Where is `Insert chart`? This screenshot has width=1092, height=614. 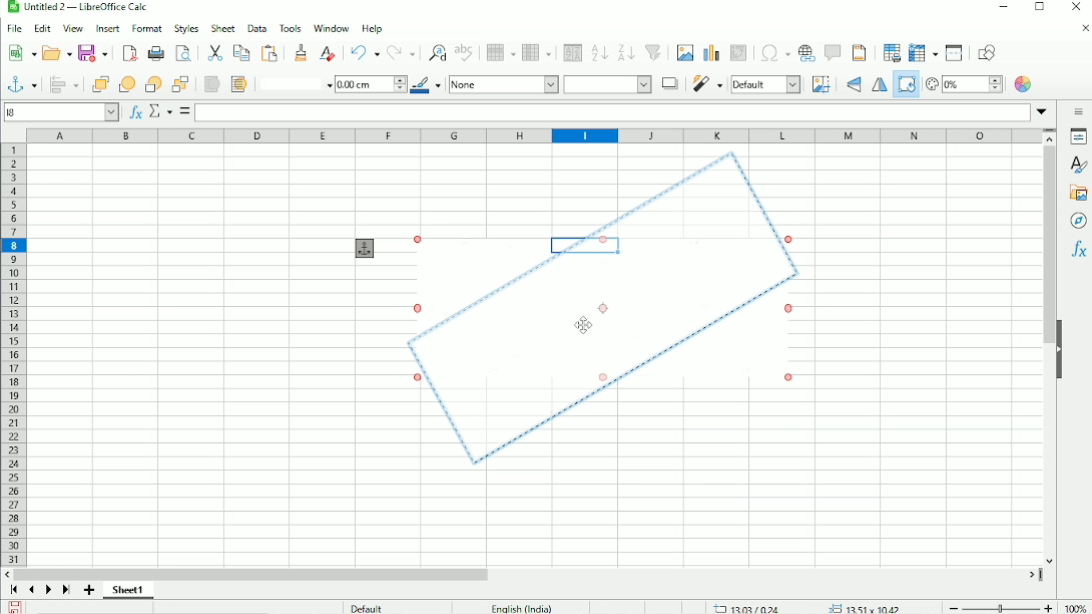
Insert chart is located at coordinates (711, 53).